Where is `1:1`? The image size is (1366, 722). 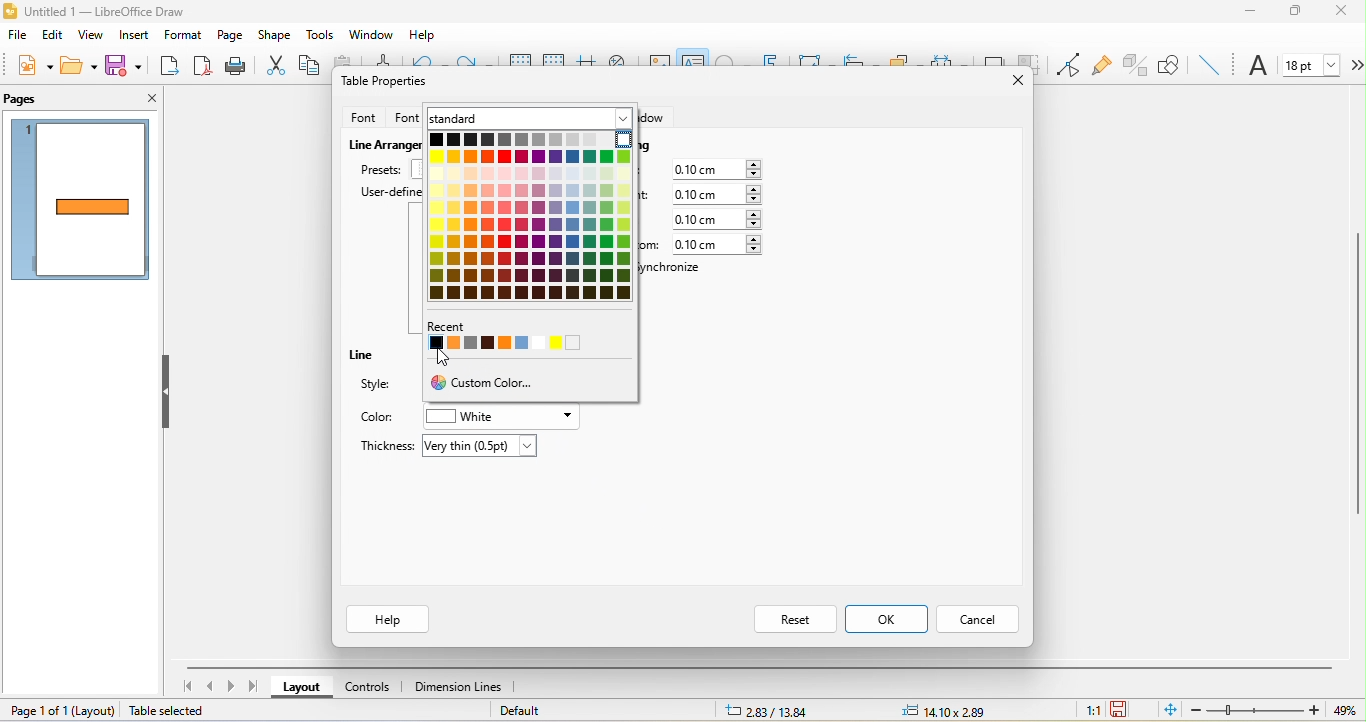
1:1 is located at coordinates (1083, 710).